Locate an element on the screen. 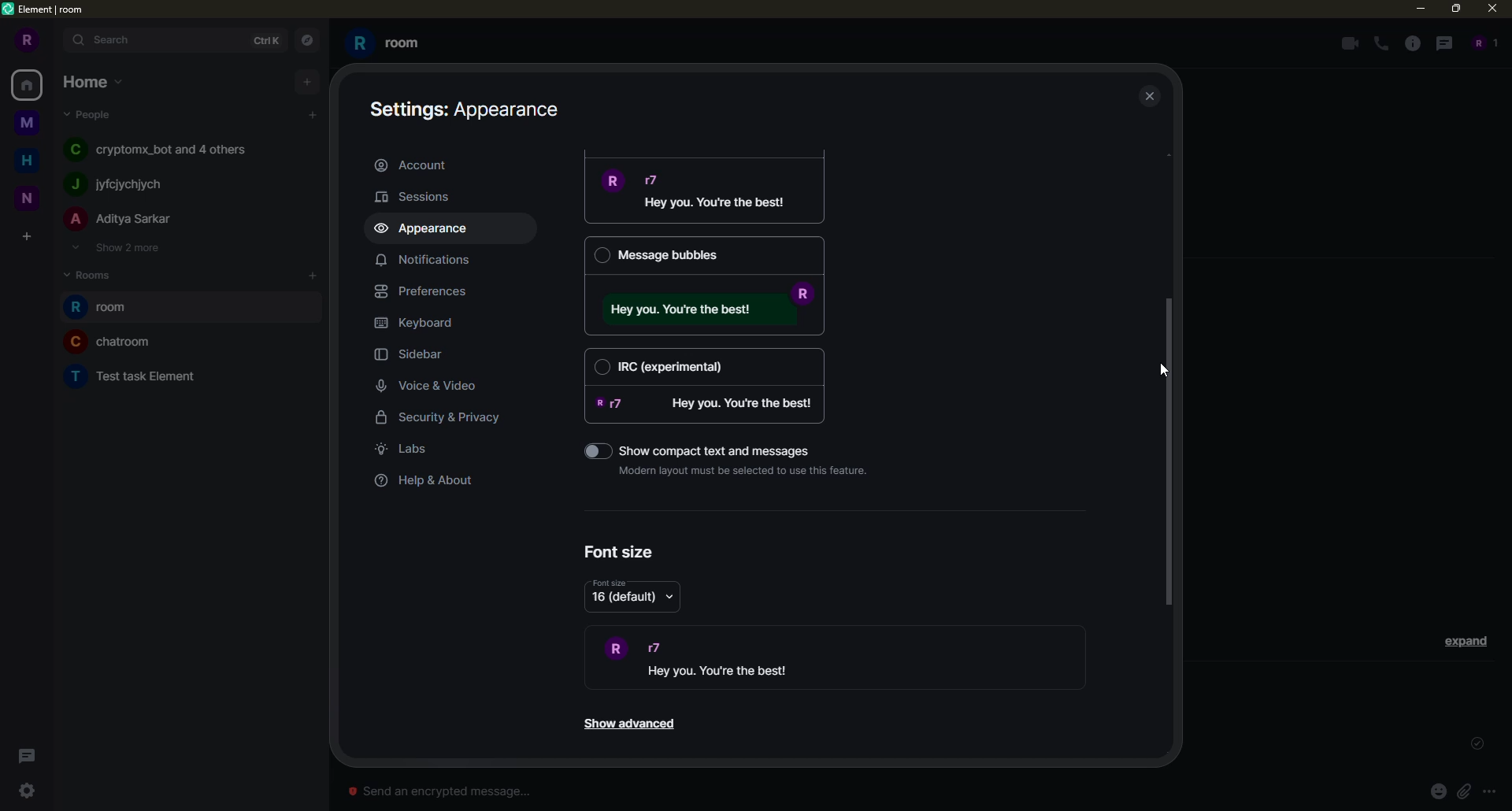  rooms is located at coordinates (94, 273).